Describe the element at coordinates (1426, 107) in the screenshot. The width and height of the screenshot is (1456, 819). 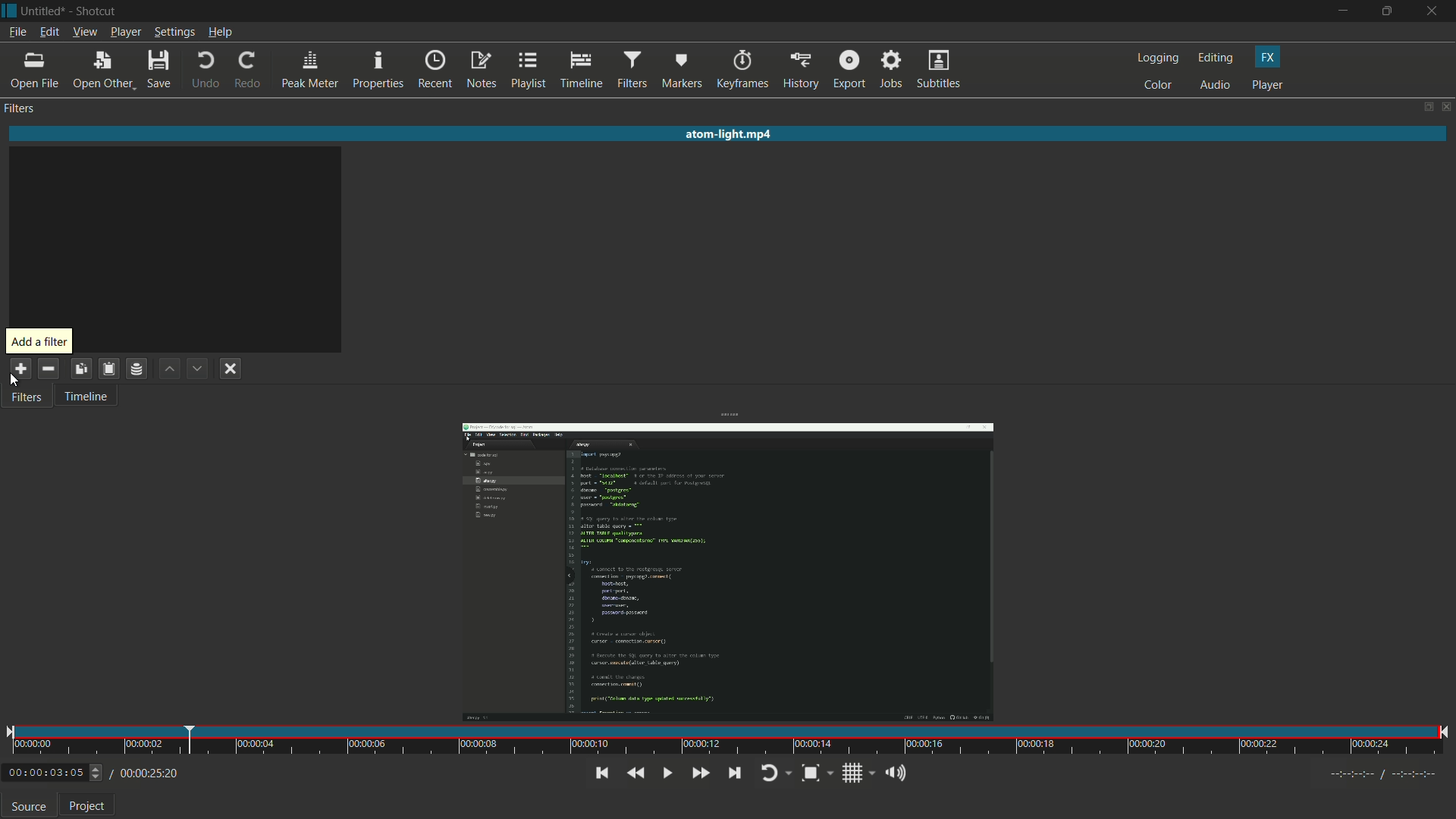
I see `change layout` at that location.